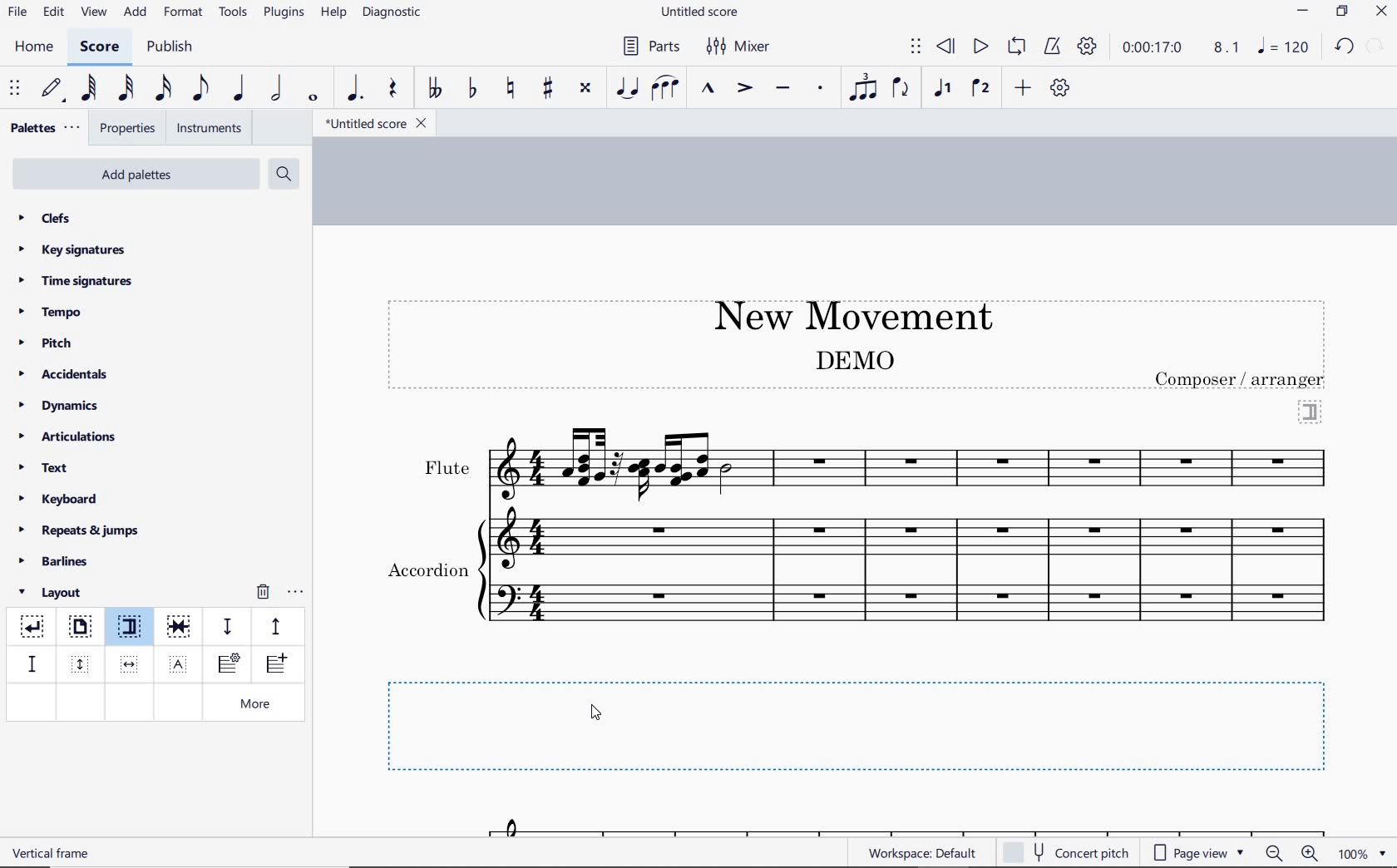 This screenshot has height=868, width=1397. I want to click on default (step time), so click(53, 89).